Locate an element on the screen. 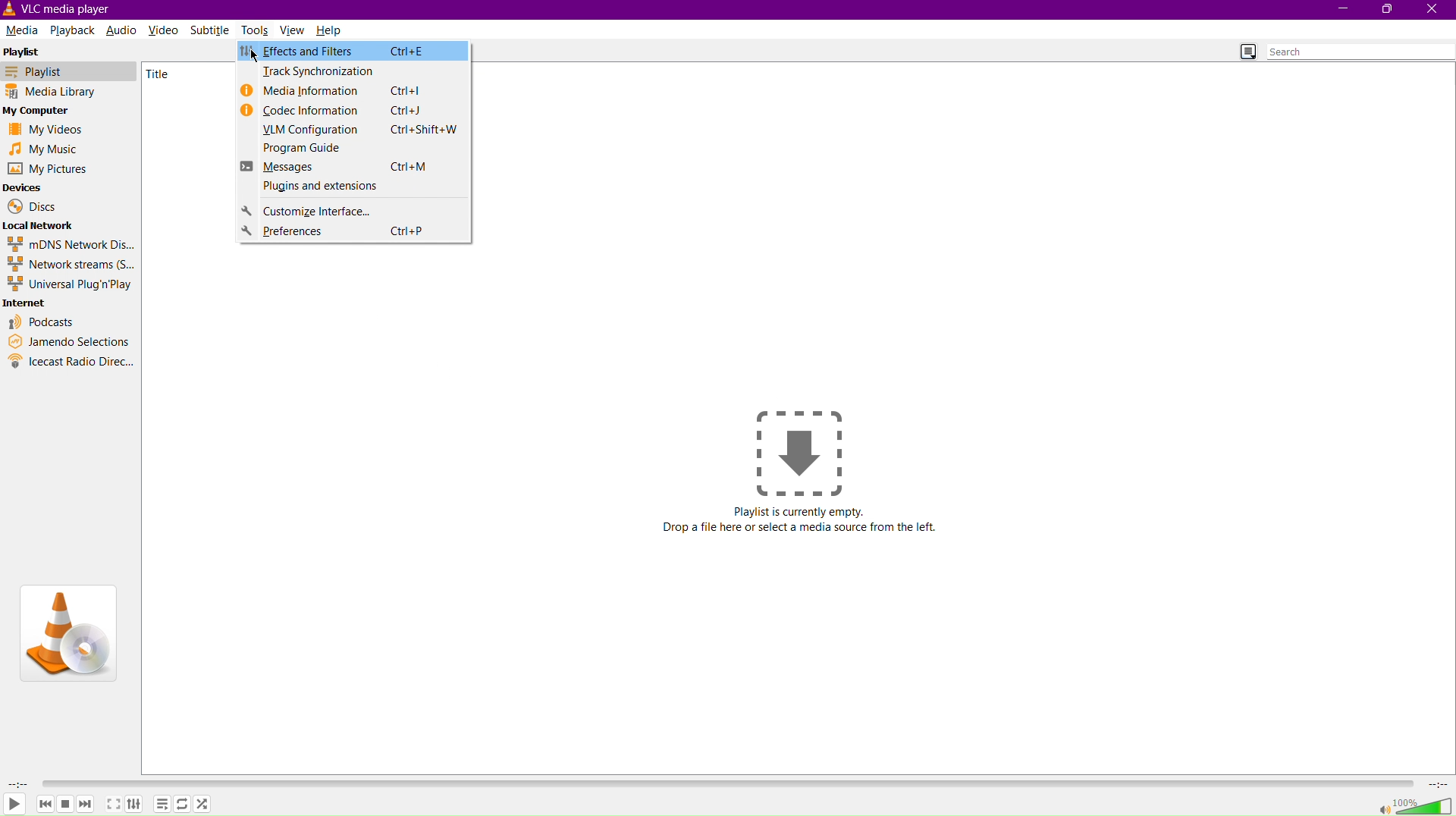  Universal Plug'n'Play is located at coordinates (70, 284).